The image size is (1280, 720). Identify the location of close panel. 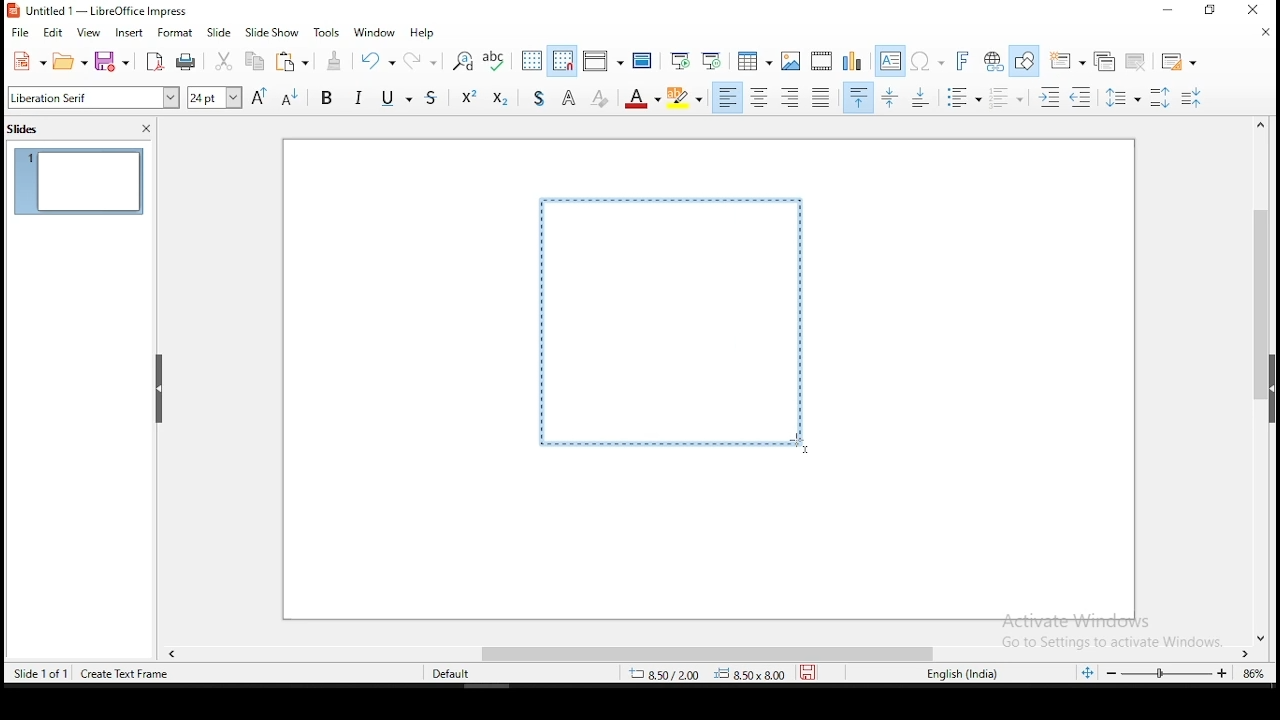
(147, 128).